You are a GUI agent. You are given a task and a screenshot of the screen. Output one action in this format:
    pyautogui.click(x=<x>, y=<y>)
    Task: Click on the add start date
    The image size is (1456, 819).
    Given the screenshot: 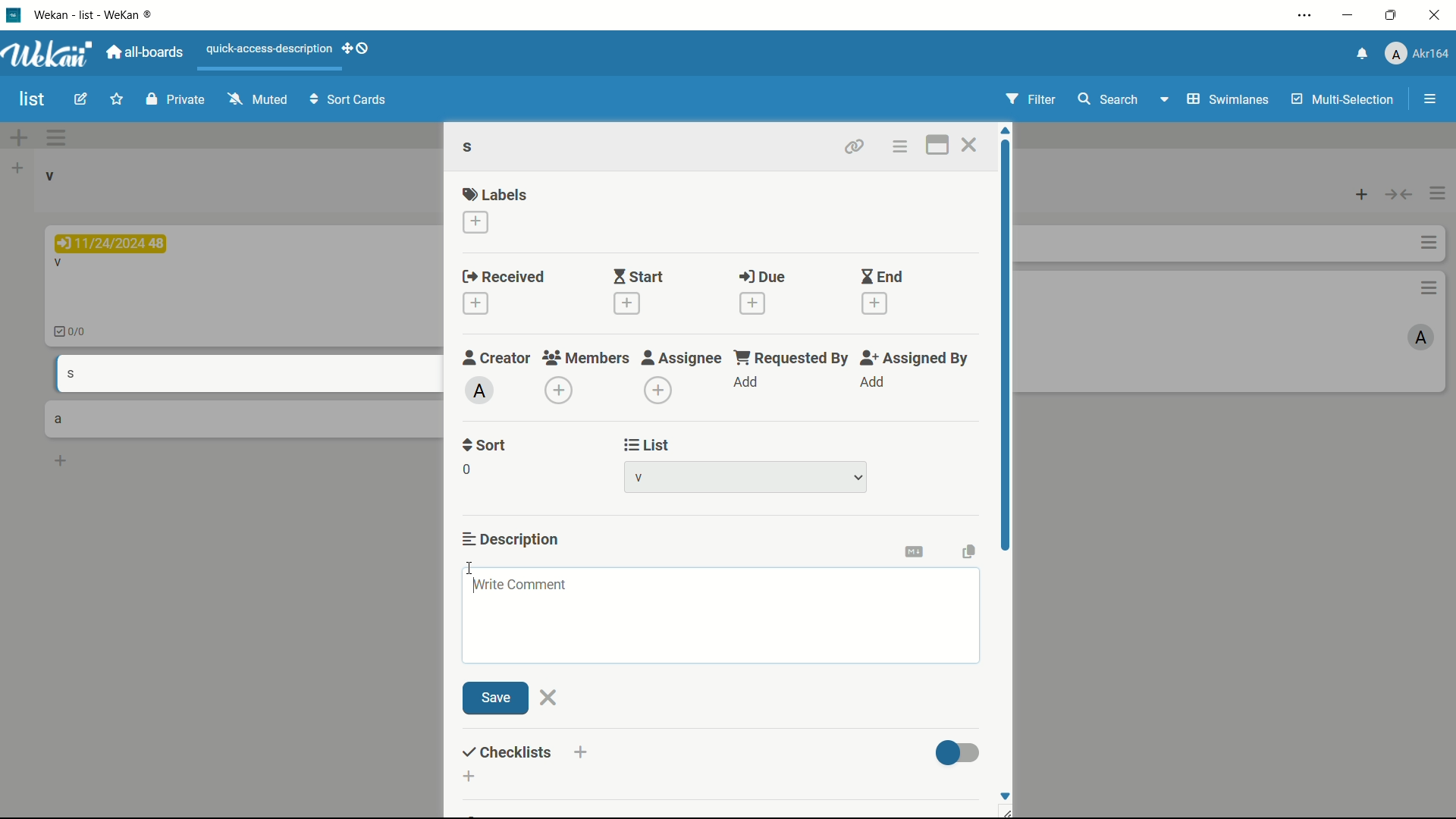 What is the action you would take?
    pyautogui.click(x=626, y=304)
    